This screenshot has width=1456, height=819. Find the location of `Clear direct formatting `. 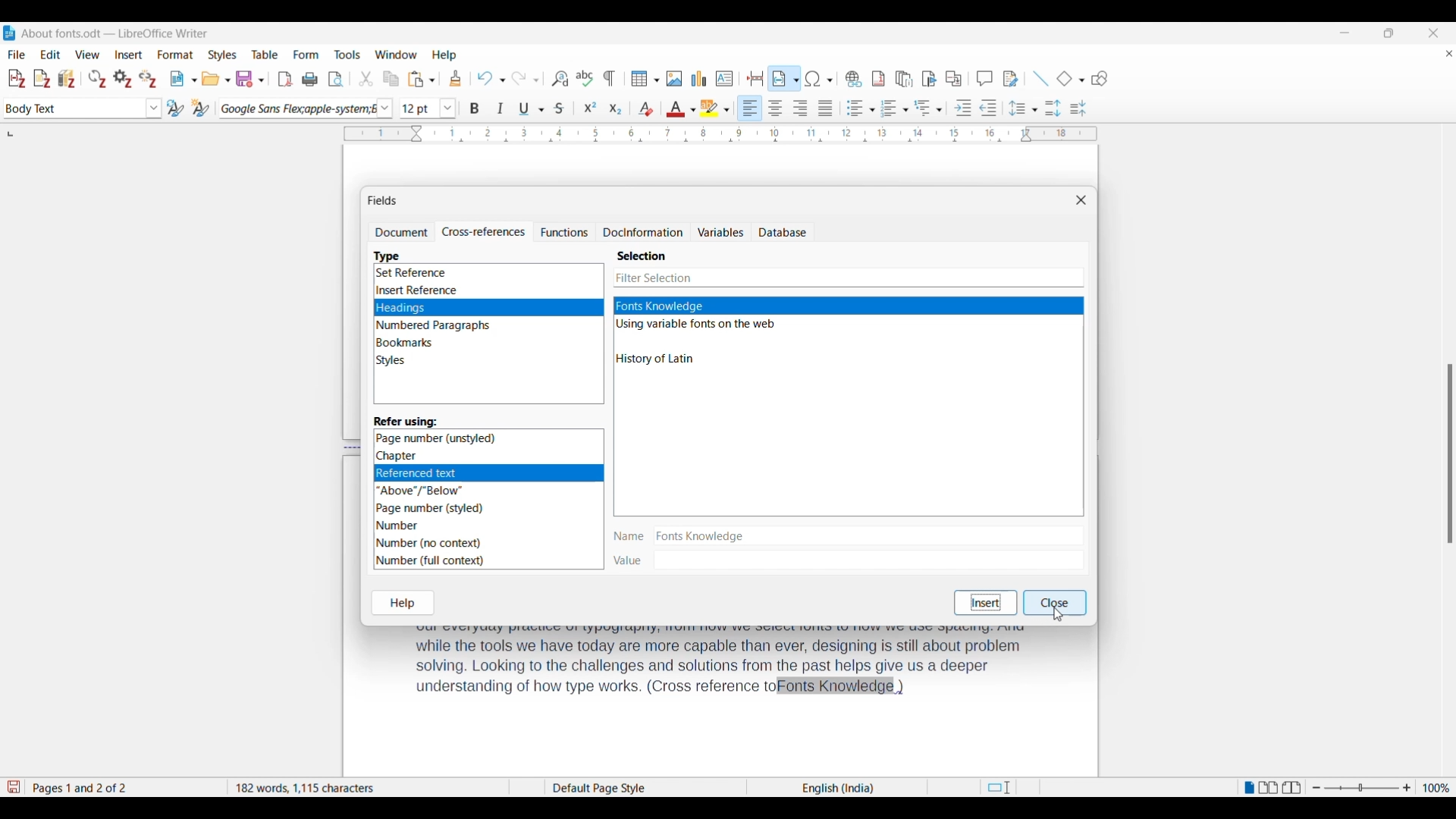

Clear direct formatting  is located at coordinates (646, 108).